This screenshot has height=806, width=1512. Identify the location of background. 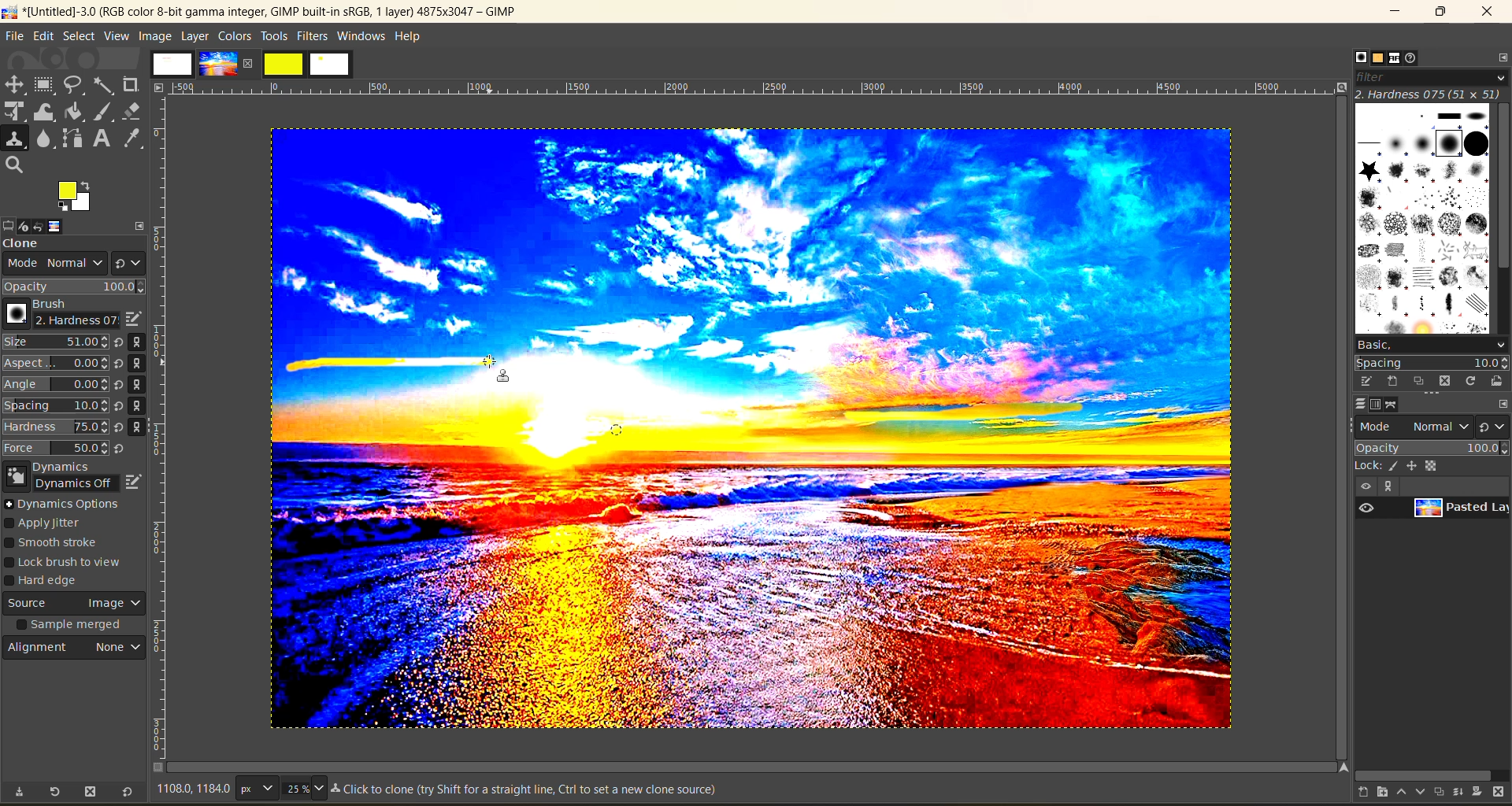
(1435, 465).